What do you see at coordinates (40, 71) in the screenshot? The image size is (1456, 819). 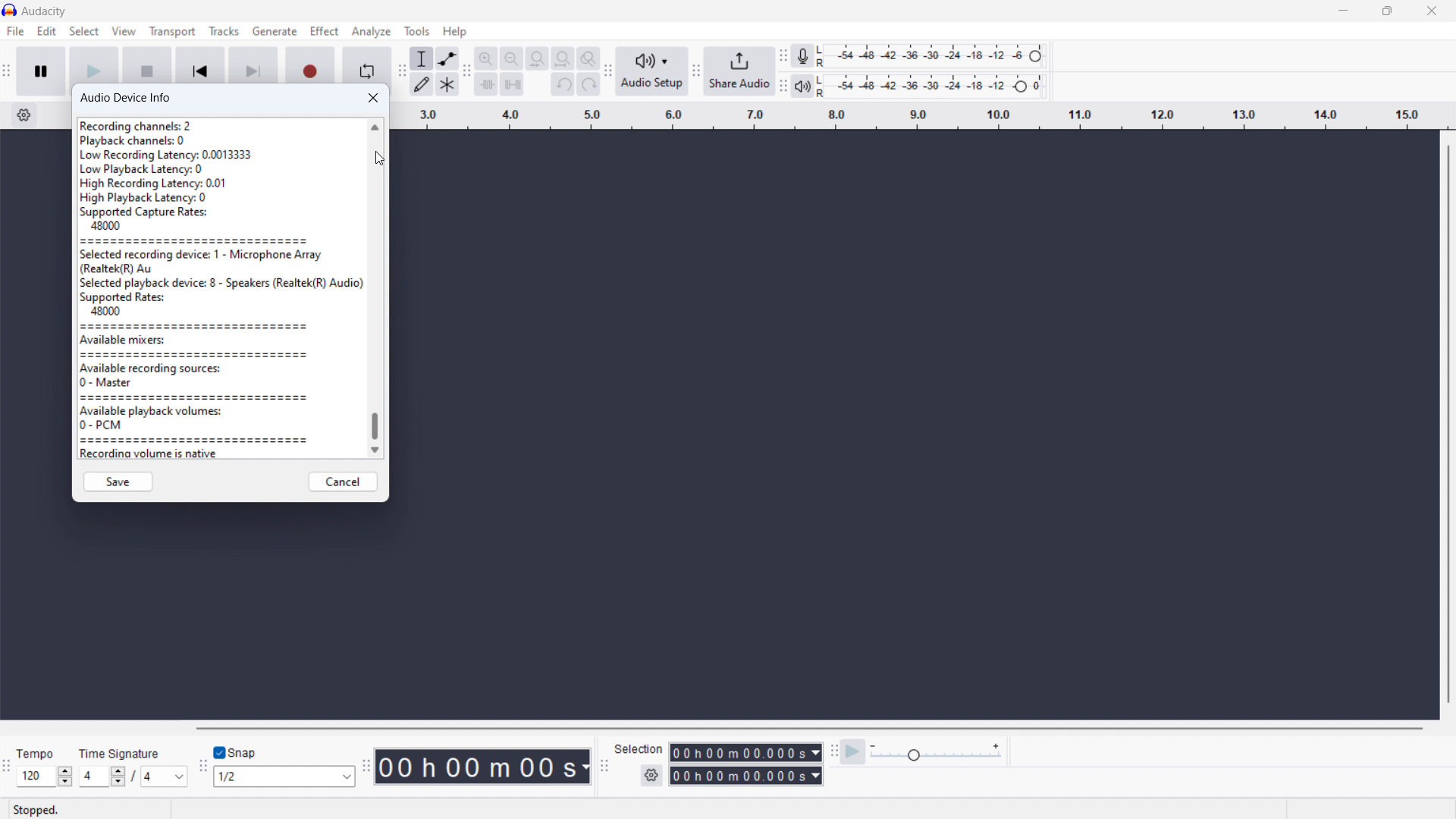 I see `pause` at bounding box center [40, 71].